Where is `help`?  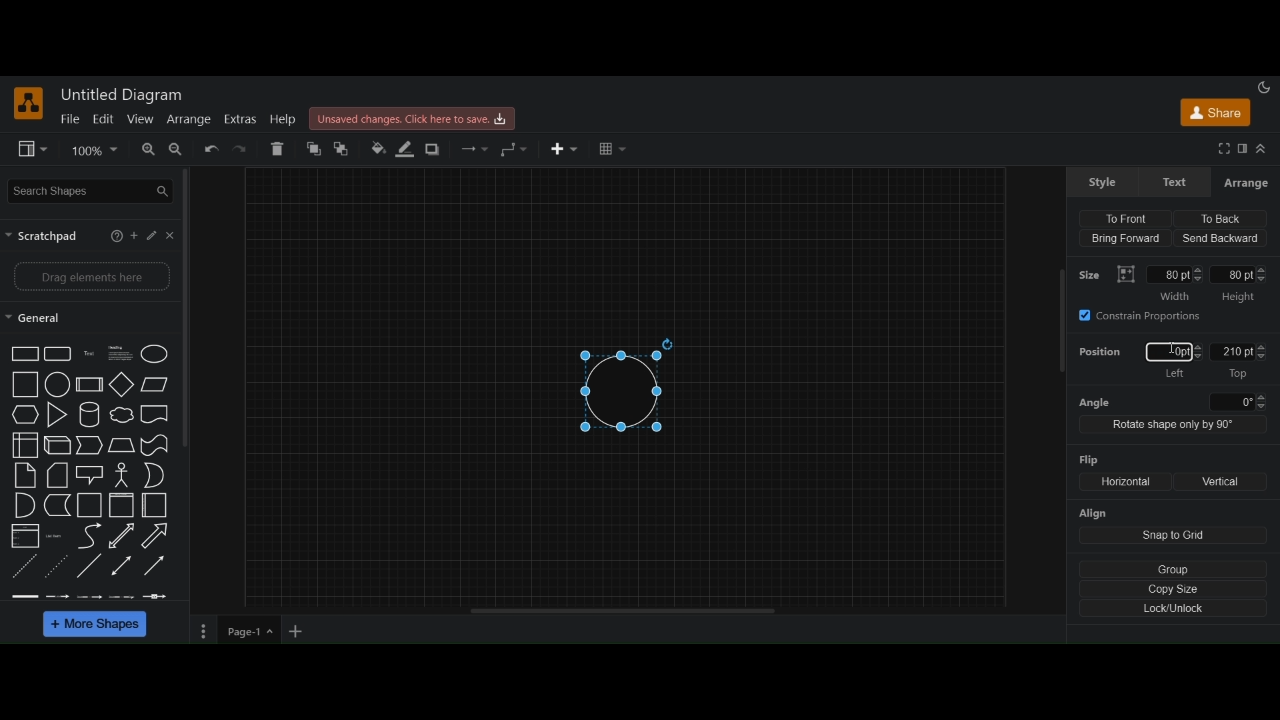
help is located at coordinates (154, 235).